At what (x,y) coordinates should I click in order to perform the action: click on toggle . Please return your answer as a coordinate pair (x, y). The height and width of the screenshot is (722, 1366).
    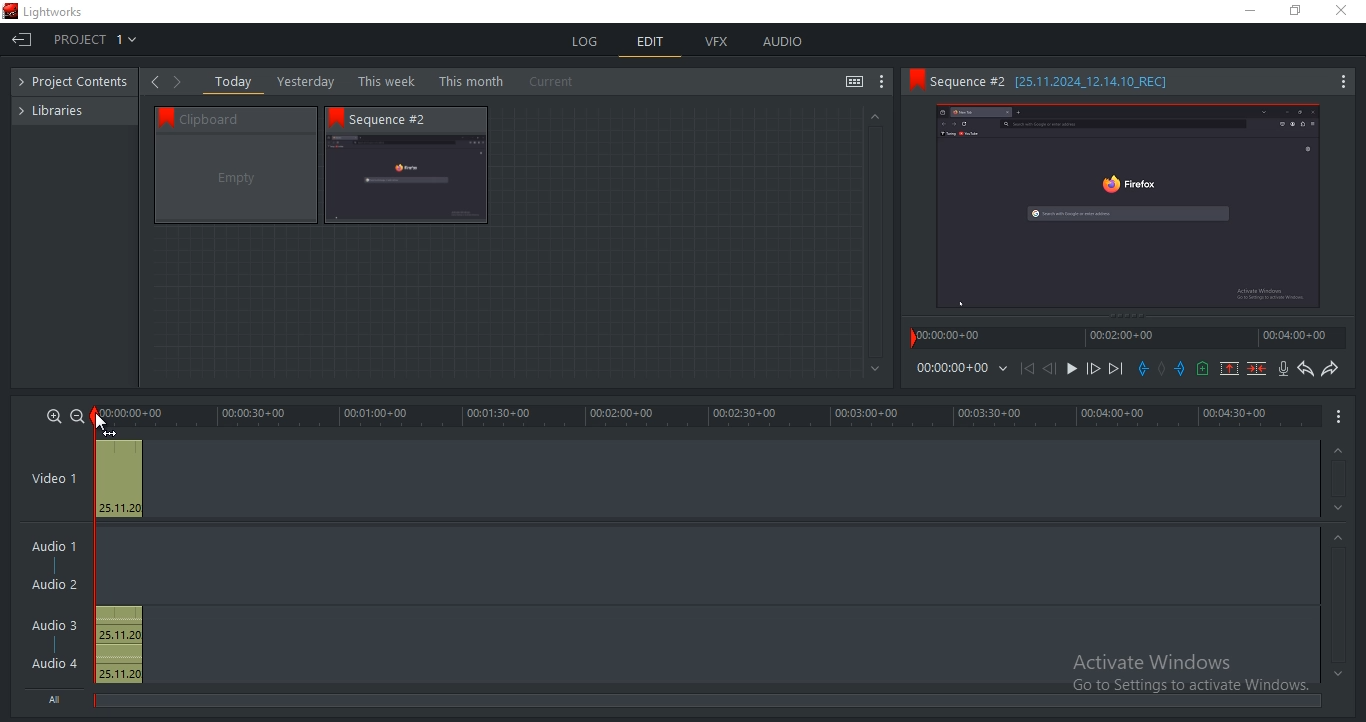
    Looking at the image, I should click on (854, 83).